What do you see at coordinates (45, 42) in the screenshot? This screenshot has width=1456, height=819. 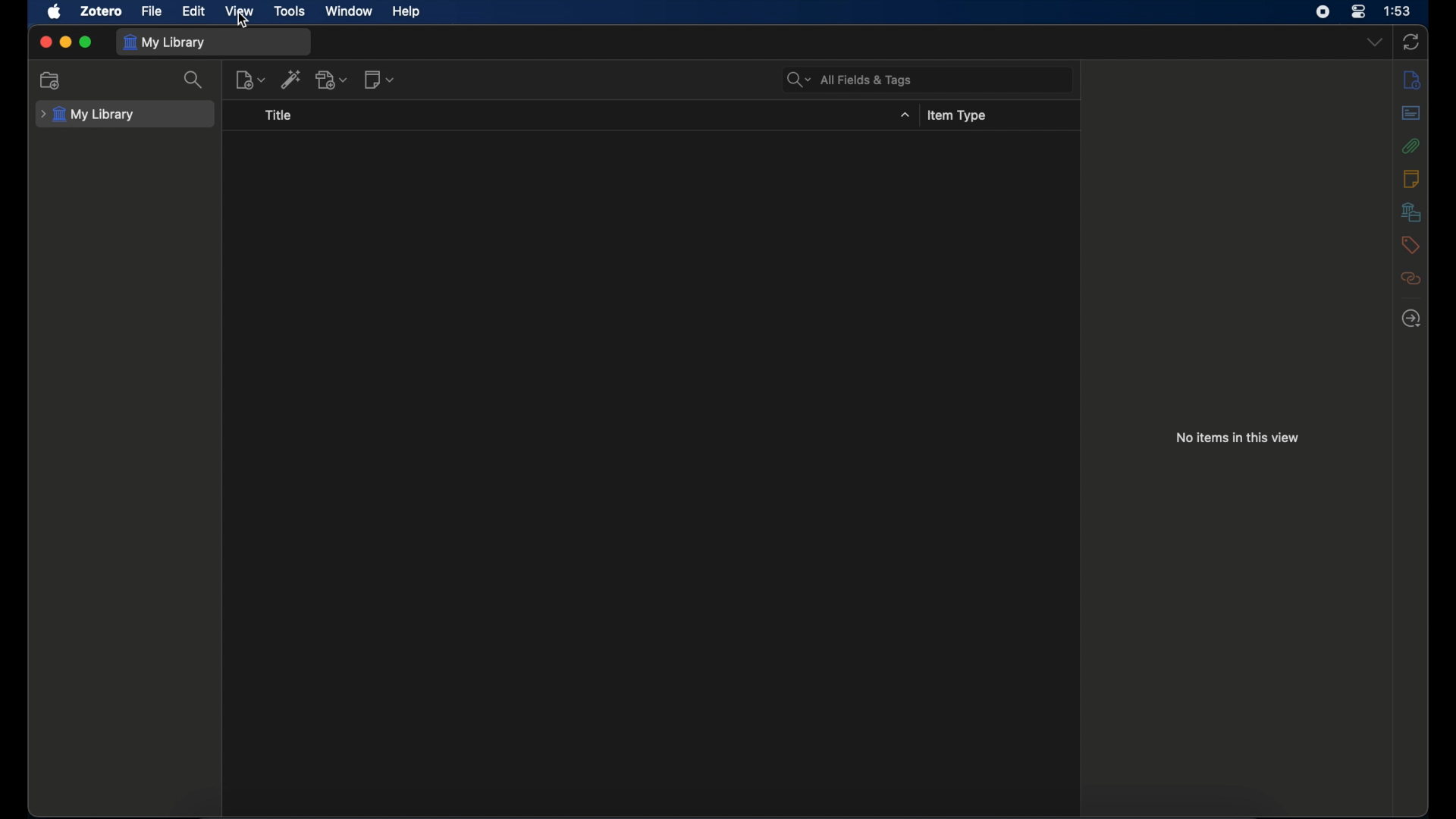 I see `close` at bounding box center [45, 42].